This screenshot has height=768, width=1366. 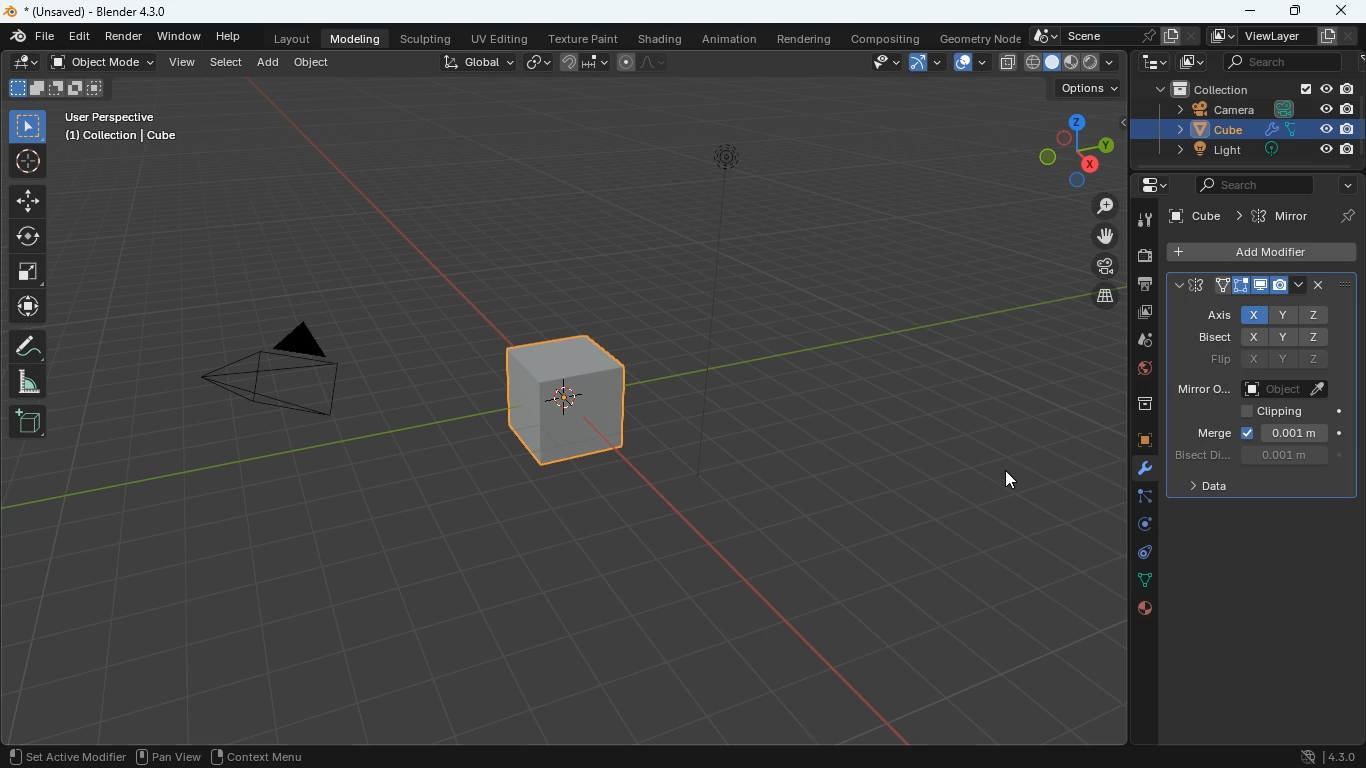 I want to click on compositing, so click(x=884, y=38).